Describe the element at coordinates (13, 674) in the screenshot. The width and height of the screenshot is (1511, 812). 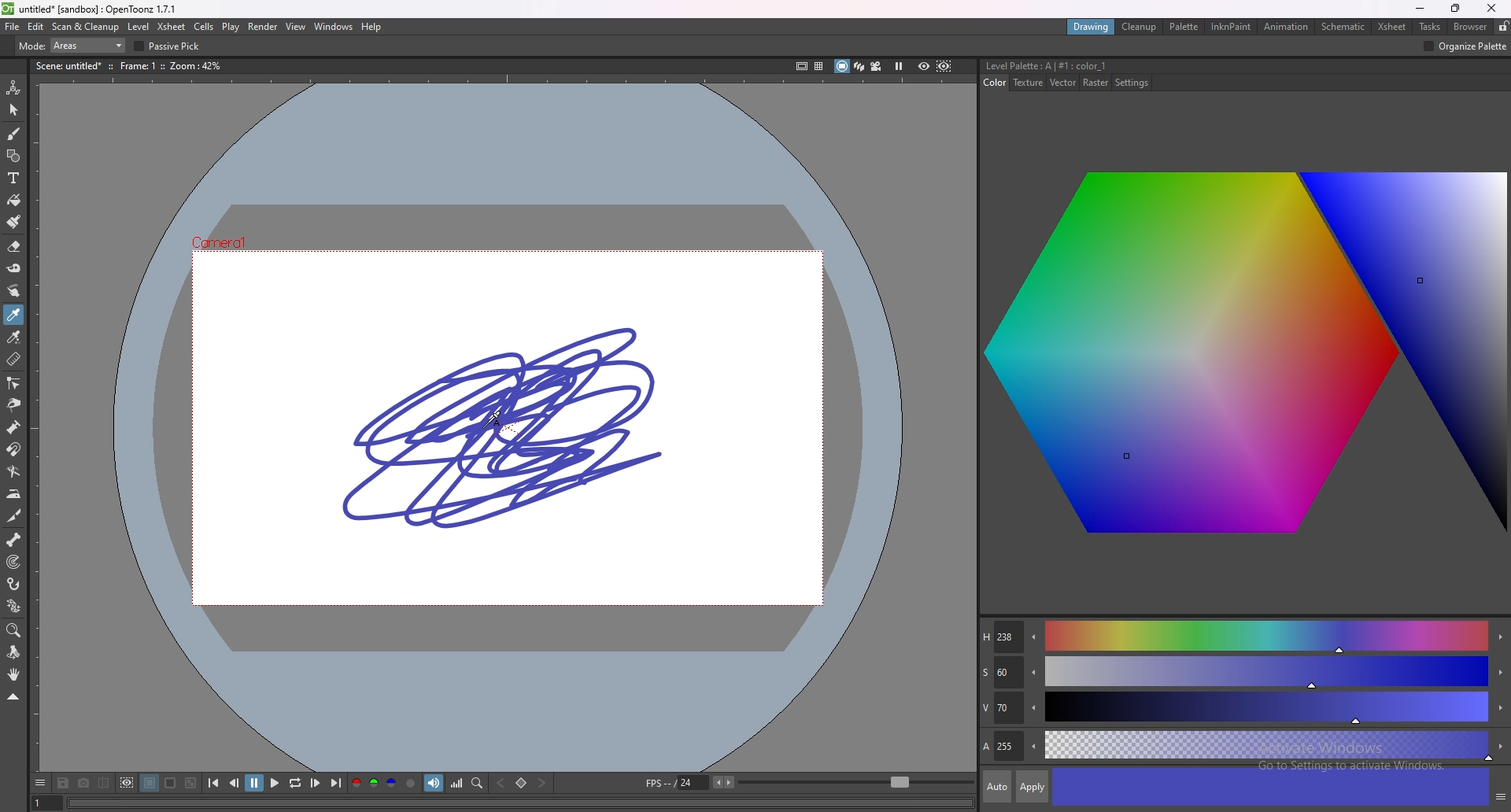
I see `hand tool` at that location.